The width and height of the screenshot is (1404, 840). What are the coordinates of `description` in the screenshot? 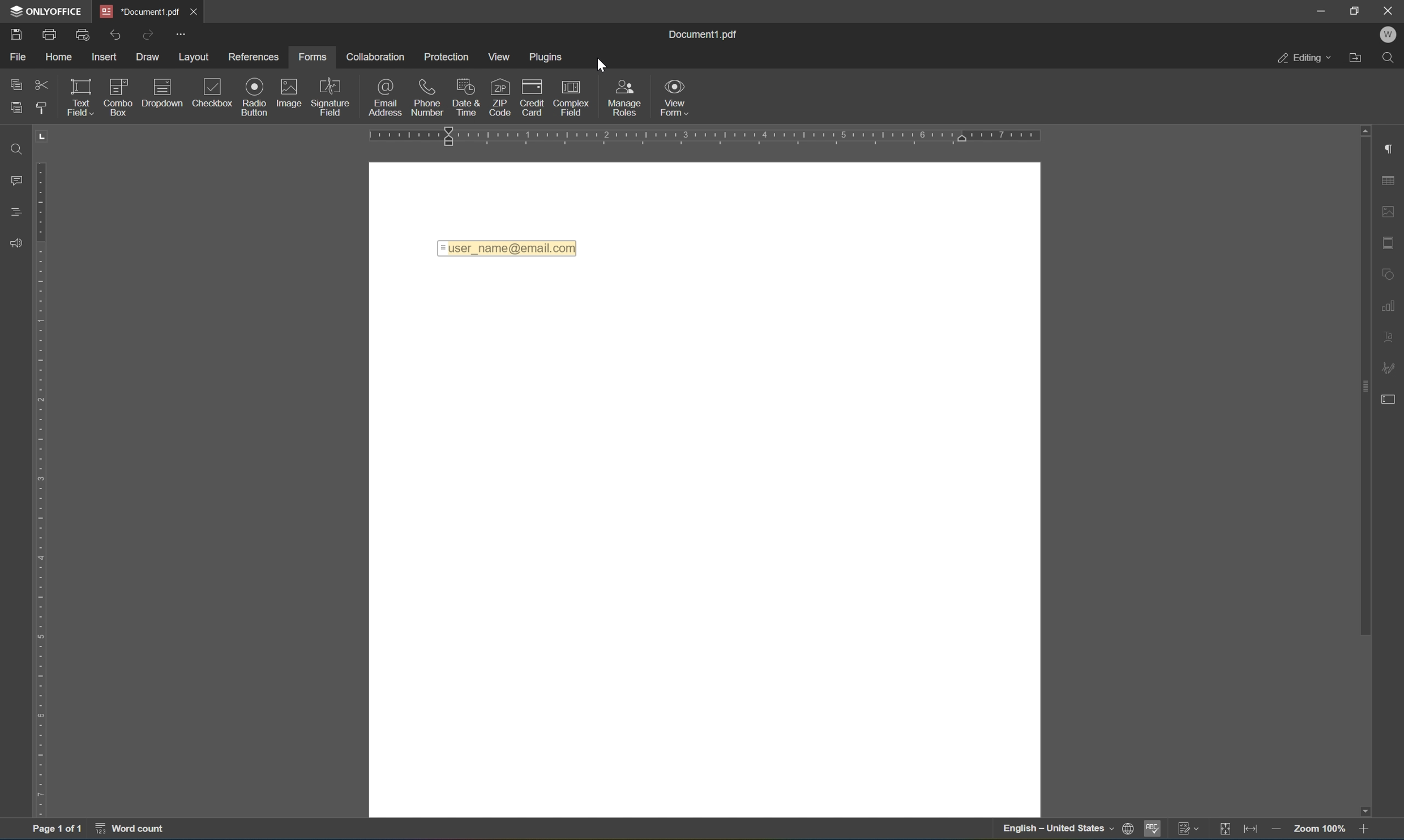 It's located at (165, 92).